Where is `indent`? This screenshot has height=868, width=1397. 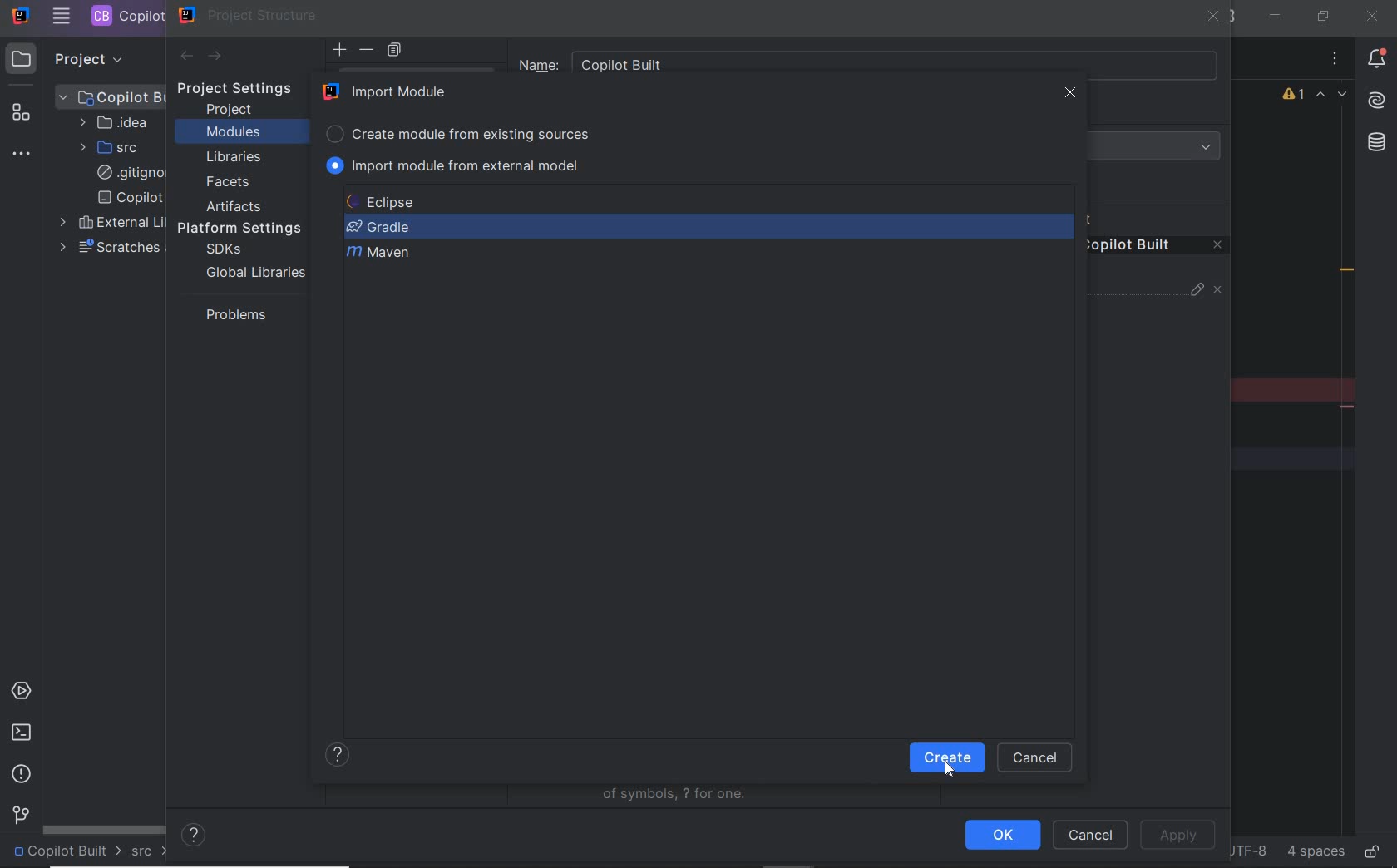
indent is located at coordinates (1314, 852).